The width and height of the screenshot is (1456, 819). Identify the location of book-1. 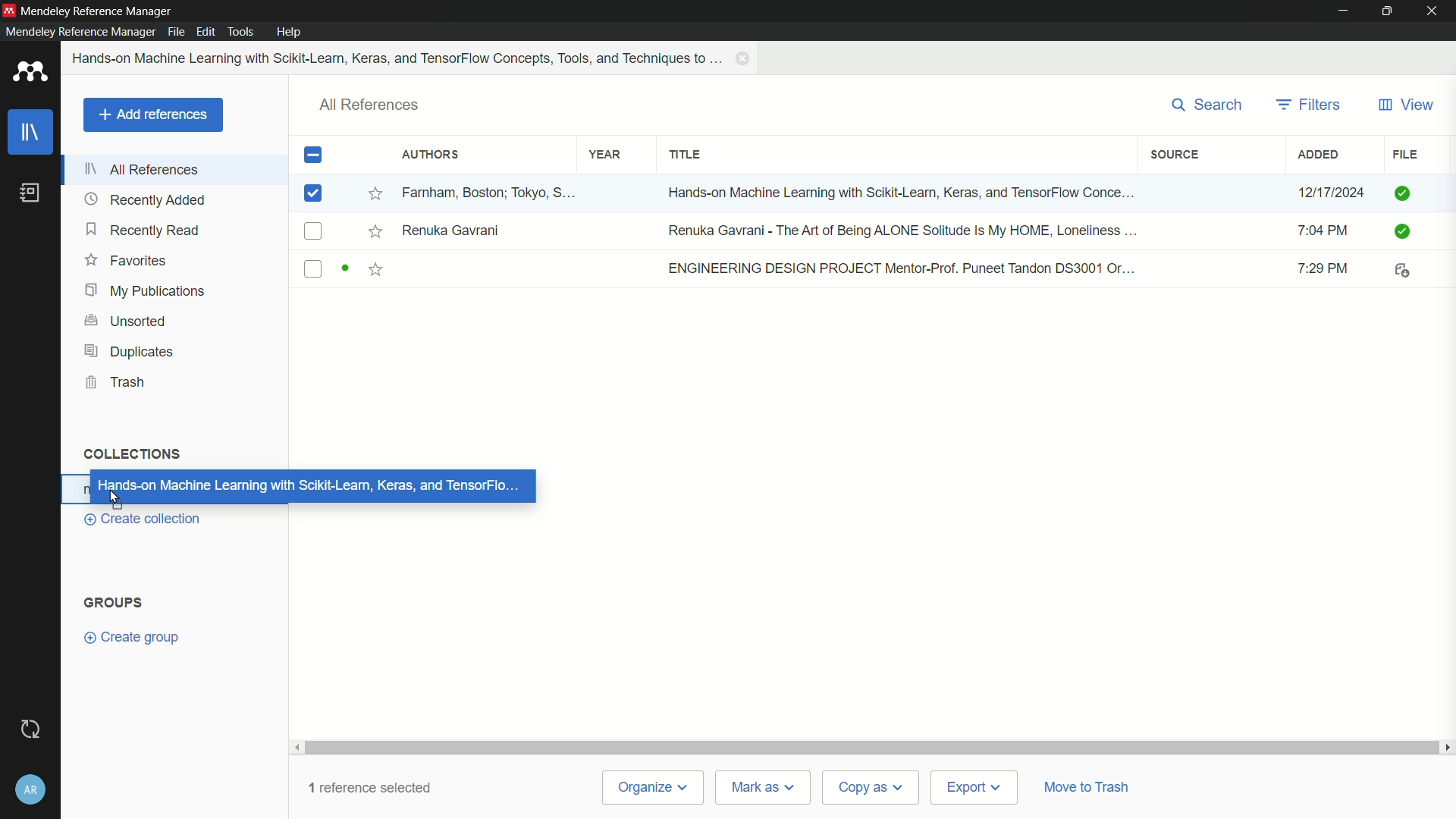
(865, 190).